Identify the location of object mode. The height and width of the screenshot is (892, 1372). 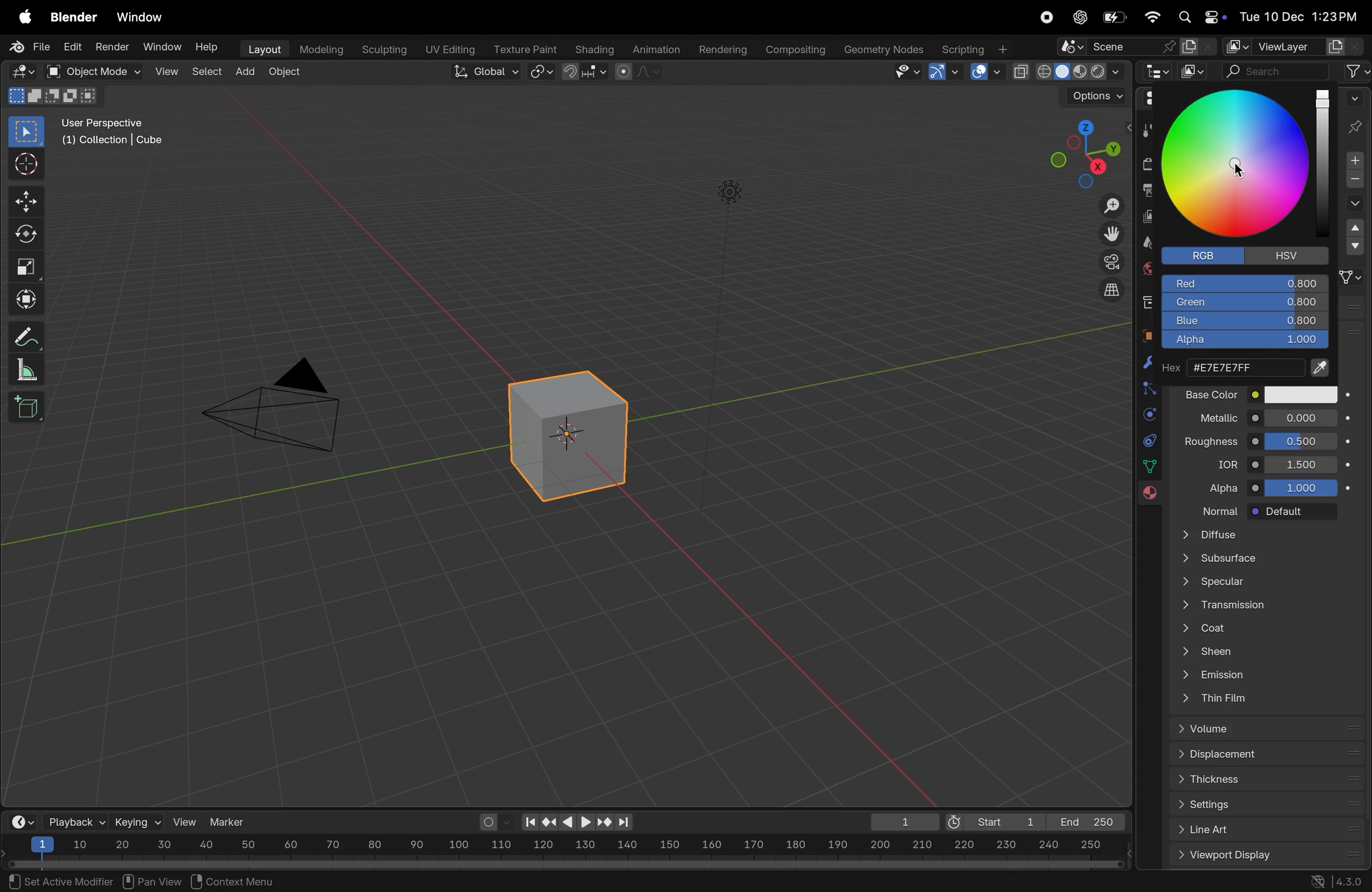
(88, 71).